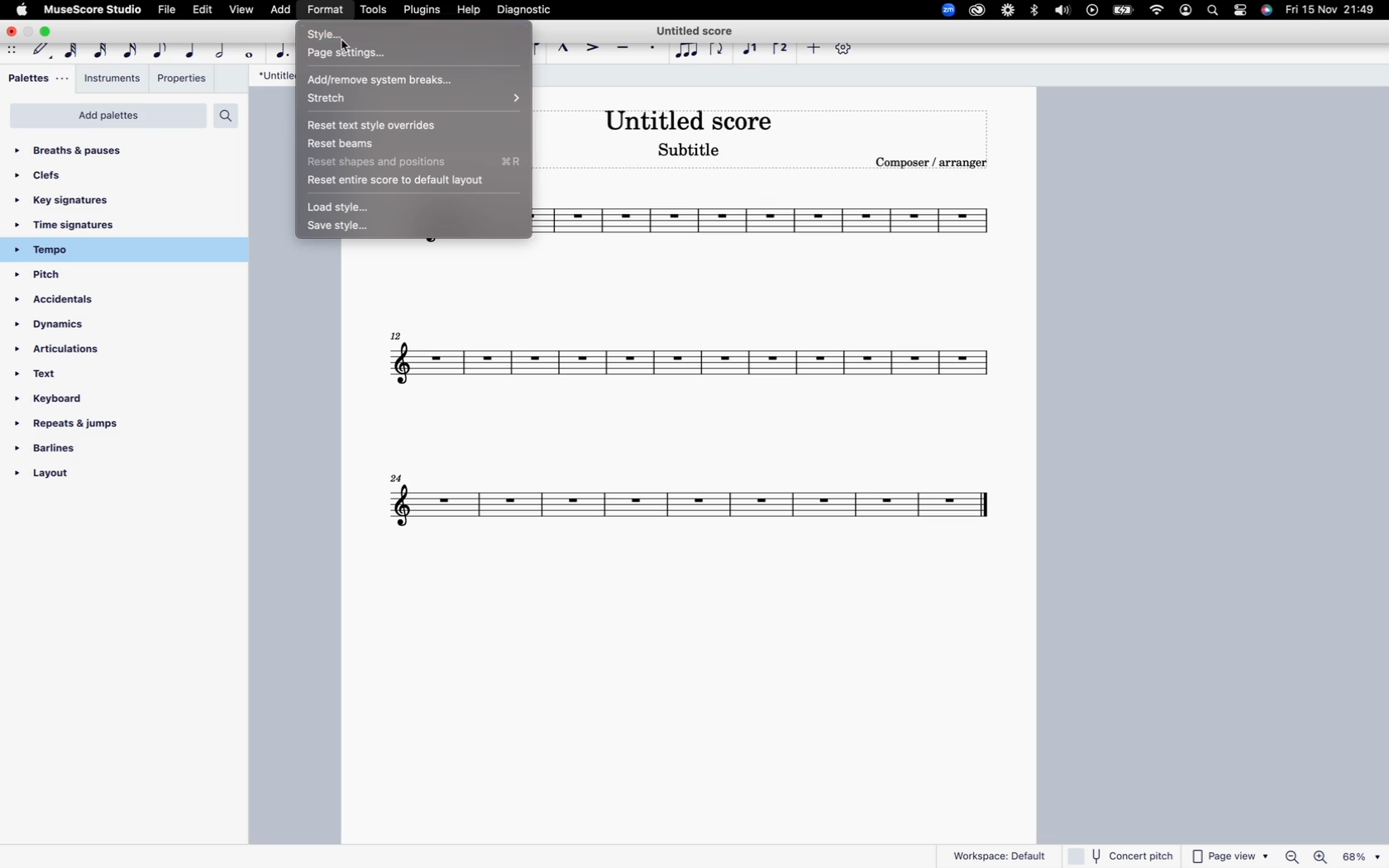  What do you see at coordinates (21, 9) in the screenshot?
I see `apple` at bounding box center [21, 9].